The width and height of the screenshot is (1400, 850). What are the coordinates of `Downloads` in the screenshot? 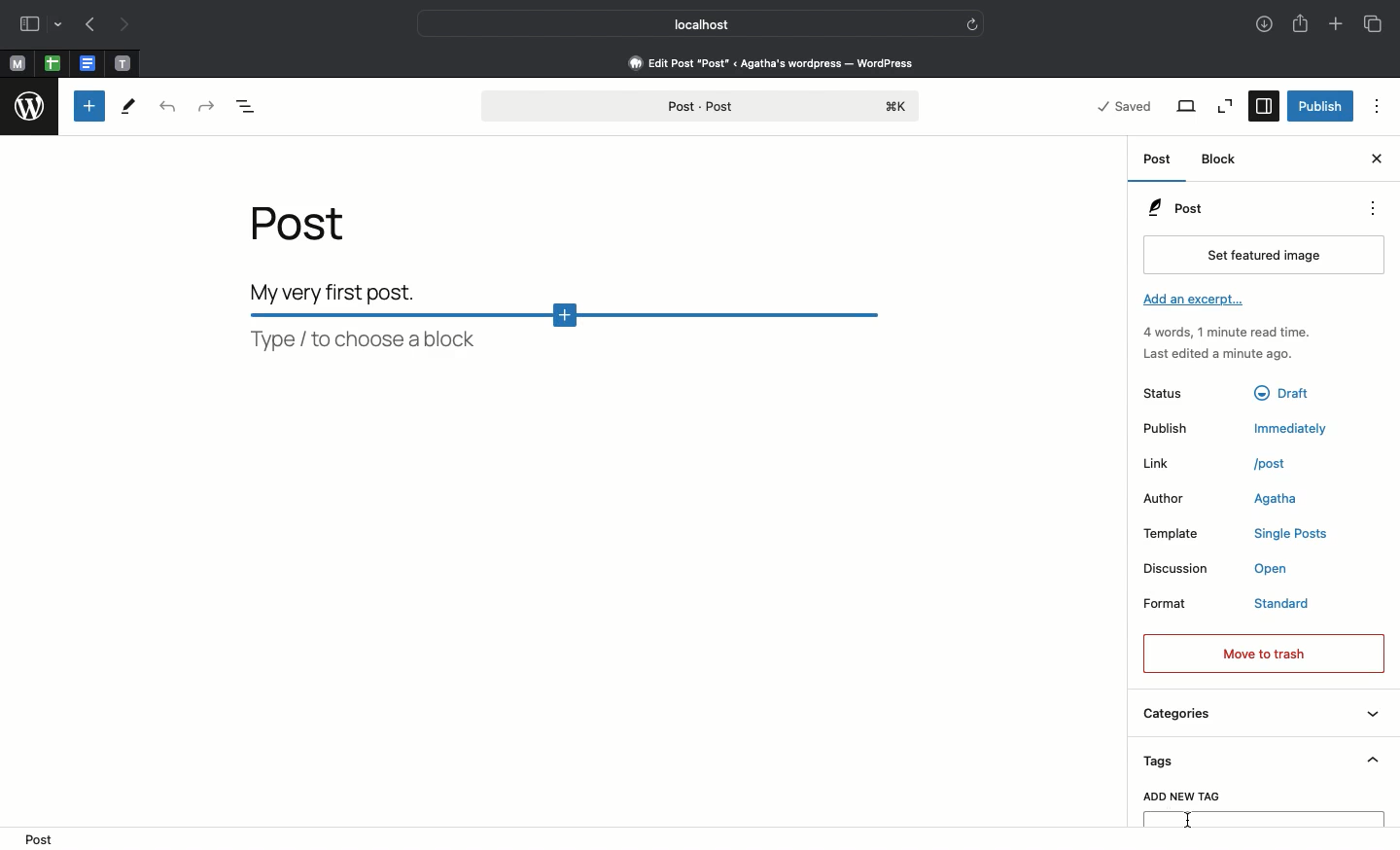 It's located at (1261, 22).